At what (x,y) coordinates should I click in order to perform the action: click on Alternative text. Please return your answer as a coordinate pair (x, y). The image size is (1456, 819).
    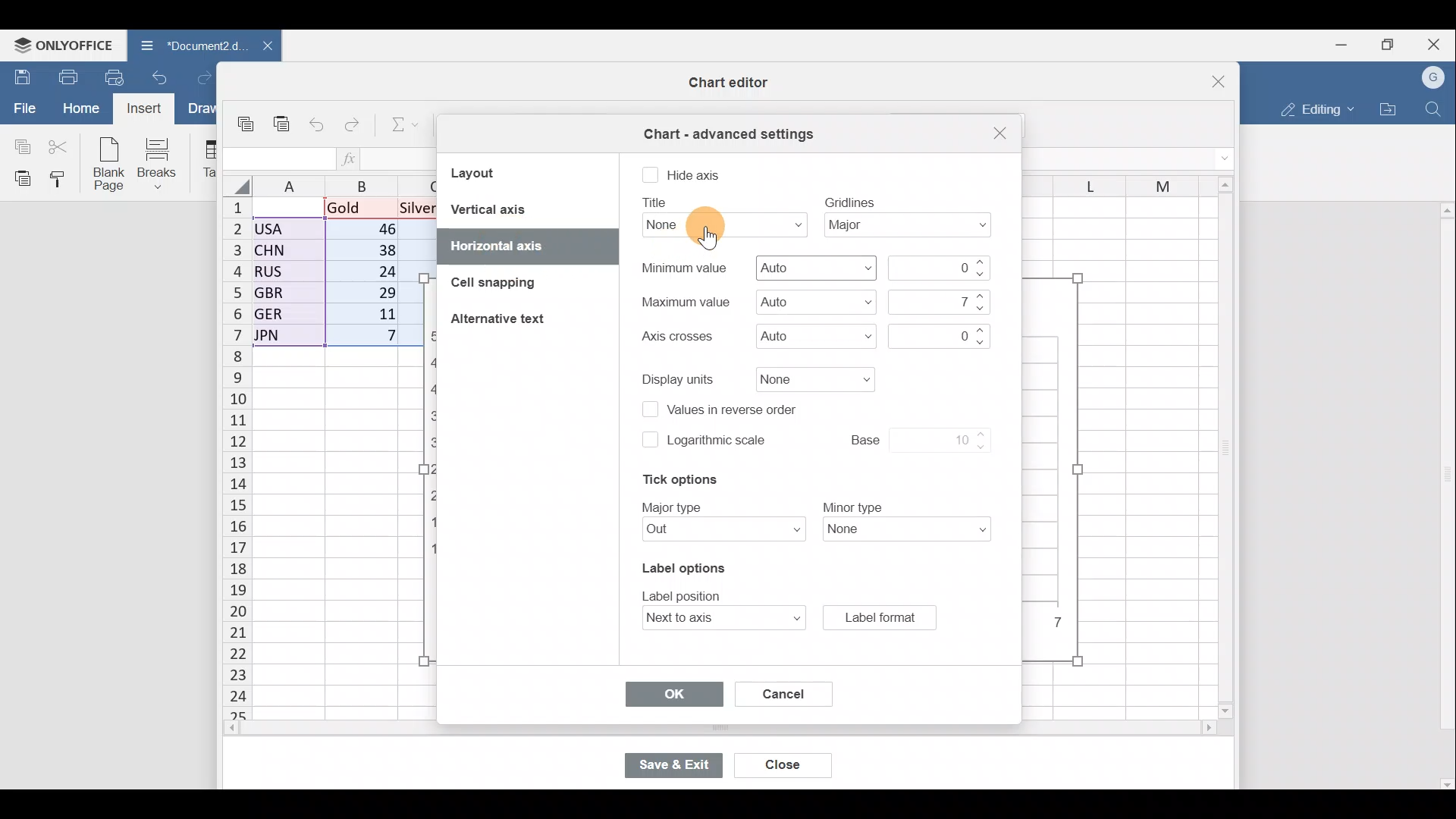
    Looking at the image, I should click on (502, 322).